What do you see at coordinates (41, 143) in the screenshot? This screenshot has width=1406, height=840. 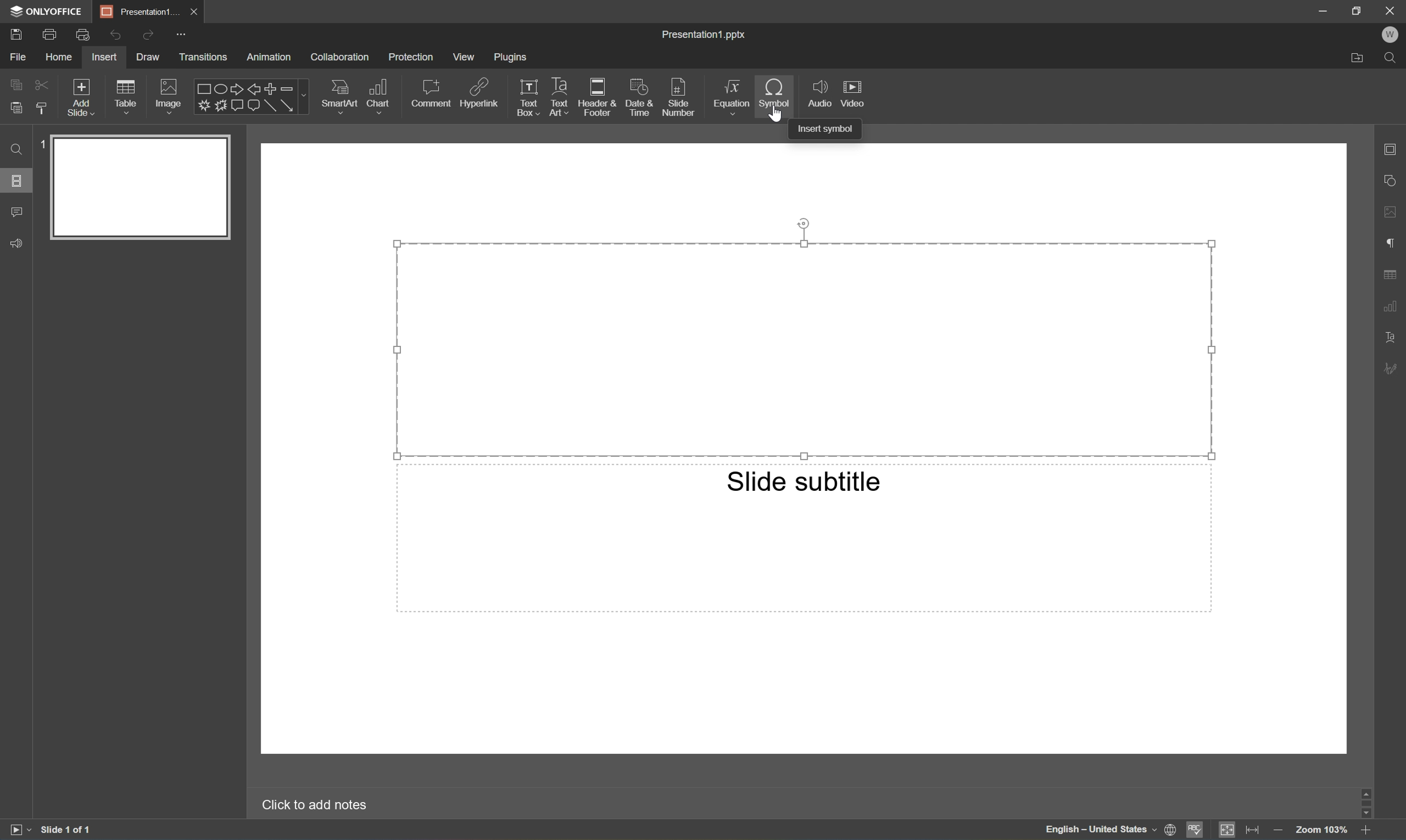 I see `1` at bounding box center [41, 143].